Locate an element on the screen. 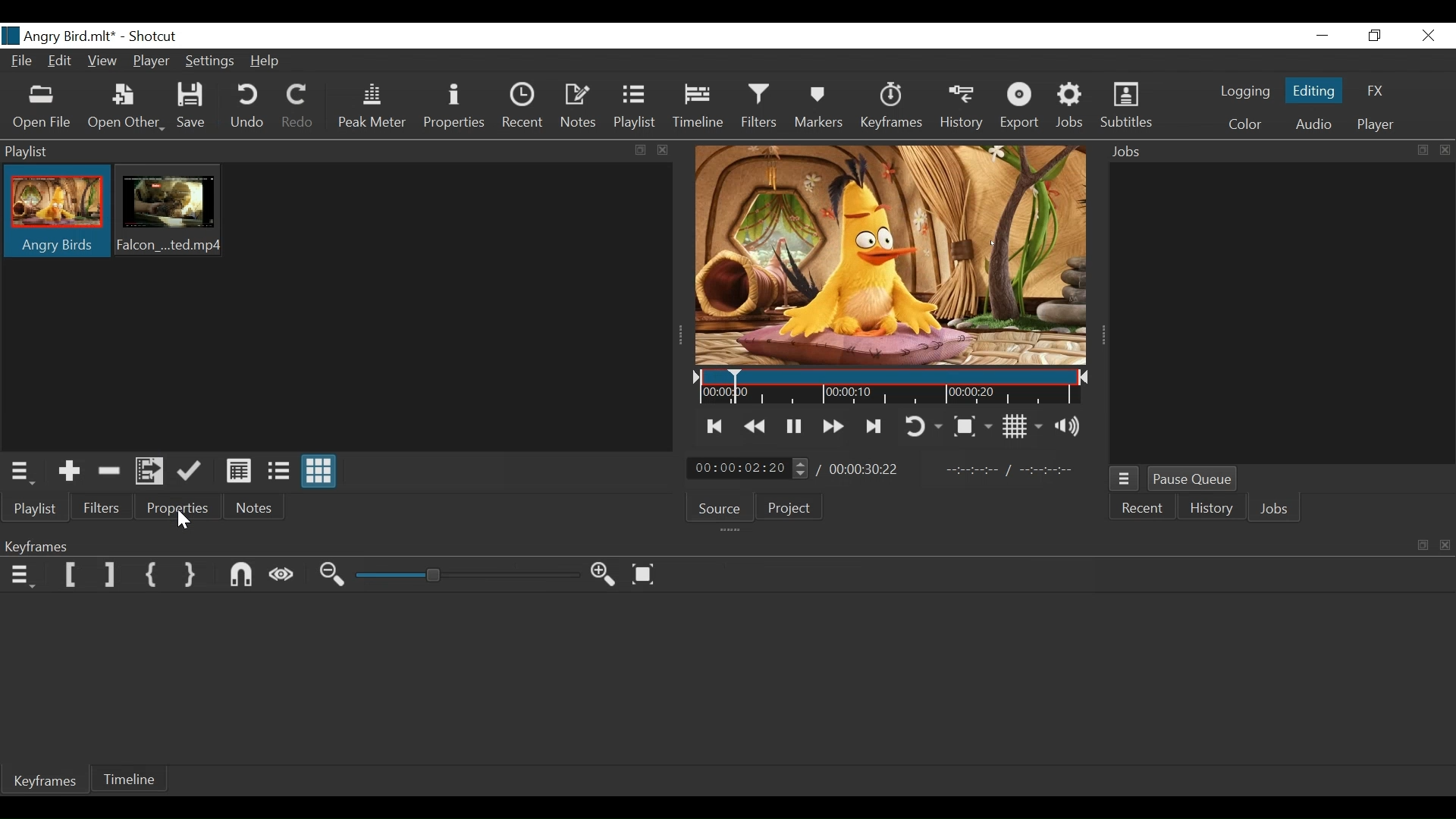 Image resolution: width=1456 pixels, height=819 pixels. Keyframes is located at coordinates (47, 783).